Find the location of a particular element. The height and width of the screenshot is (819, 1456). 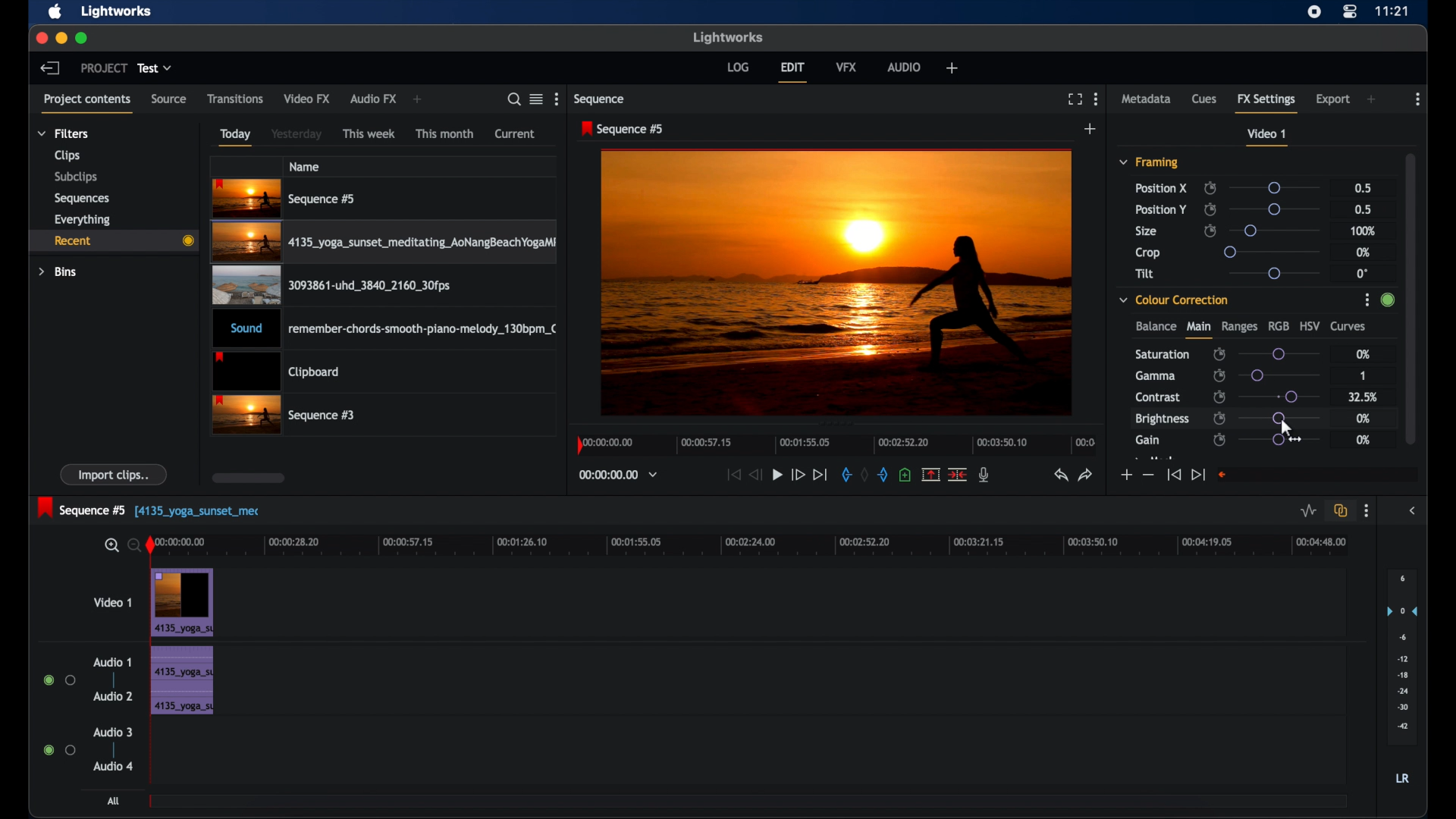

play  is located at coordinates (777, 475).